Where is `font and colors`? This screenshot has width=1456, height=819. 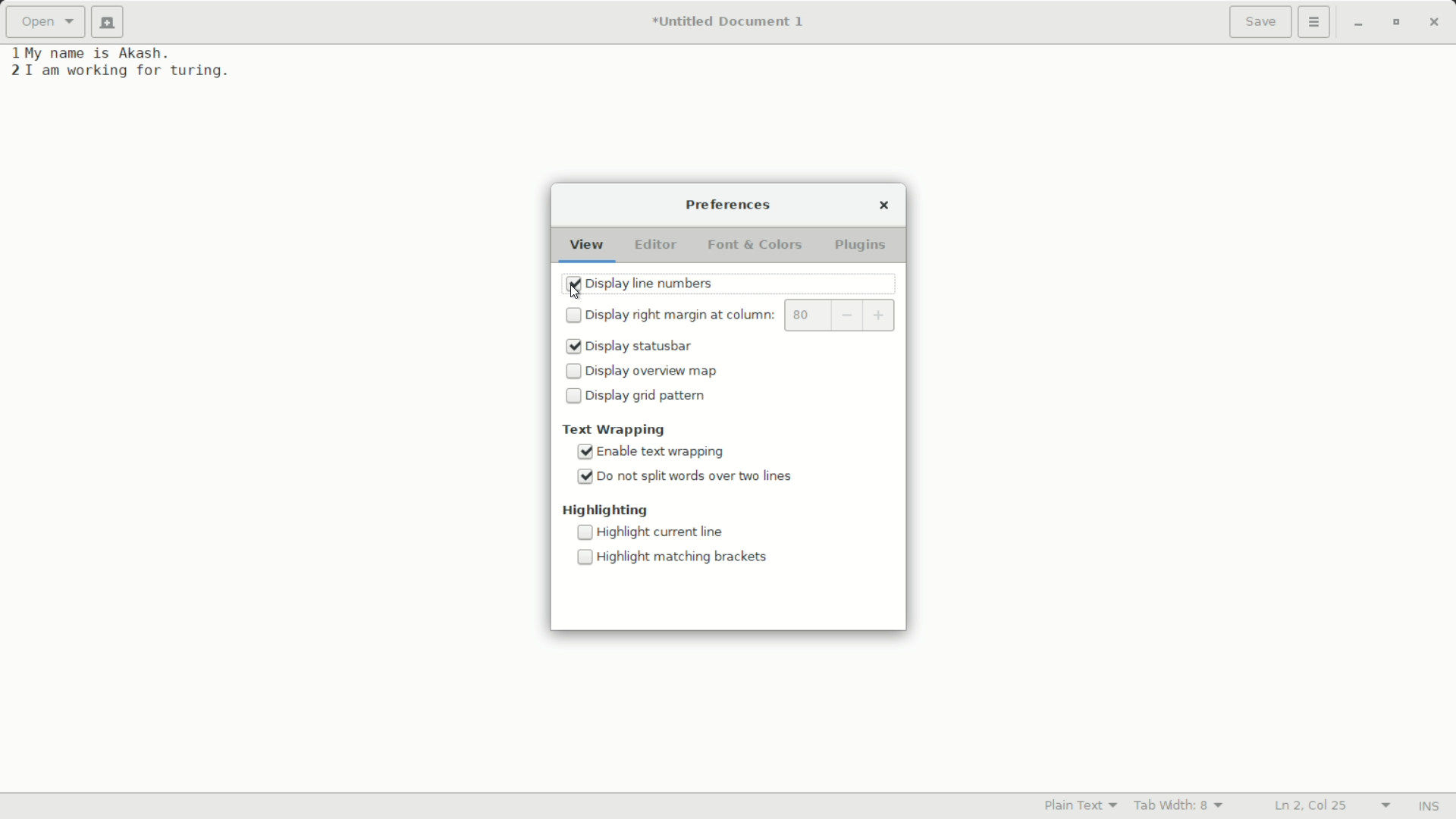 font and colors is located at coordinates (756, 245).